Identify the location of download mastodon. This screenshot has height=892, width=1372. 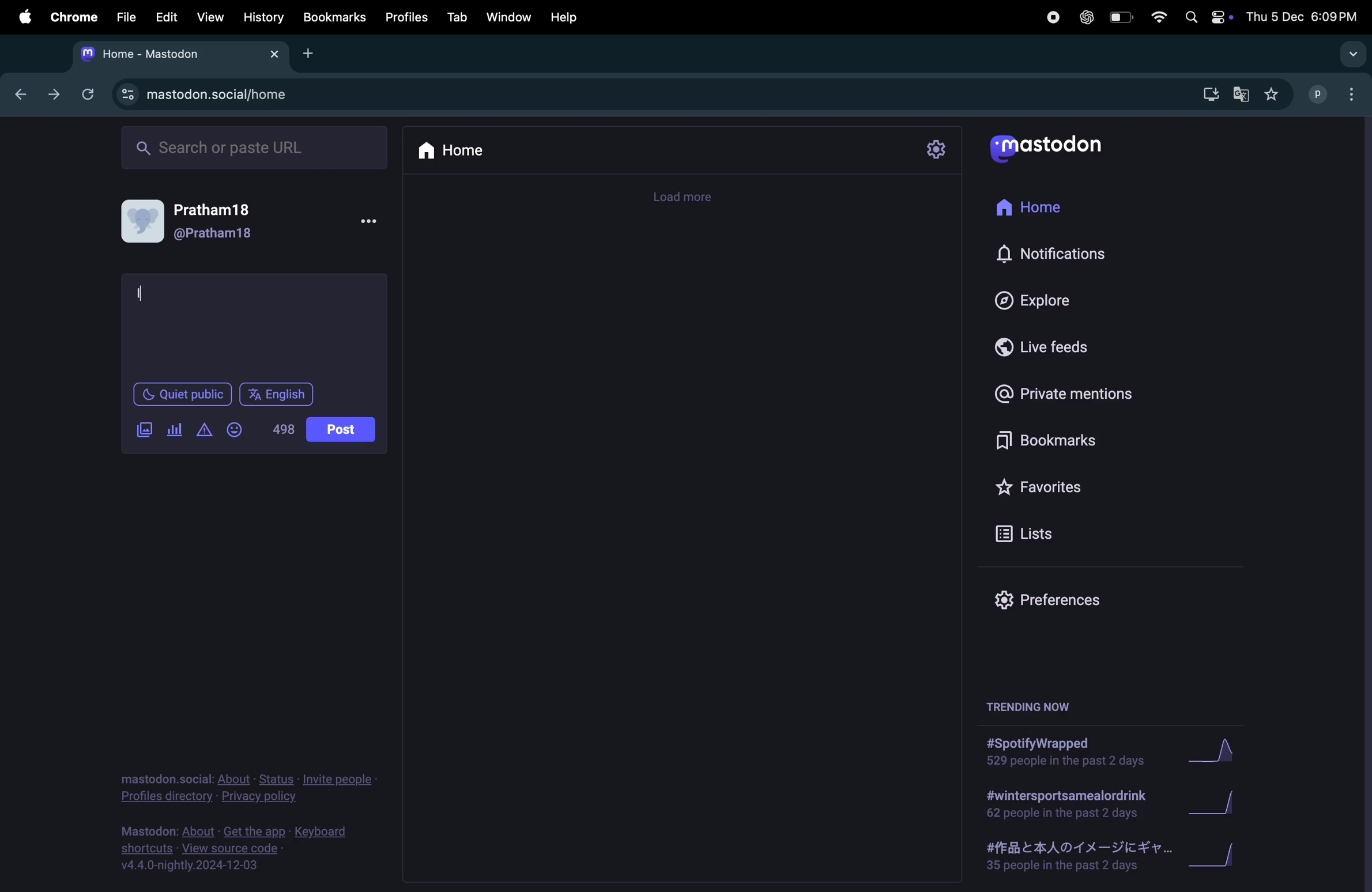
(1208, 94).